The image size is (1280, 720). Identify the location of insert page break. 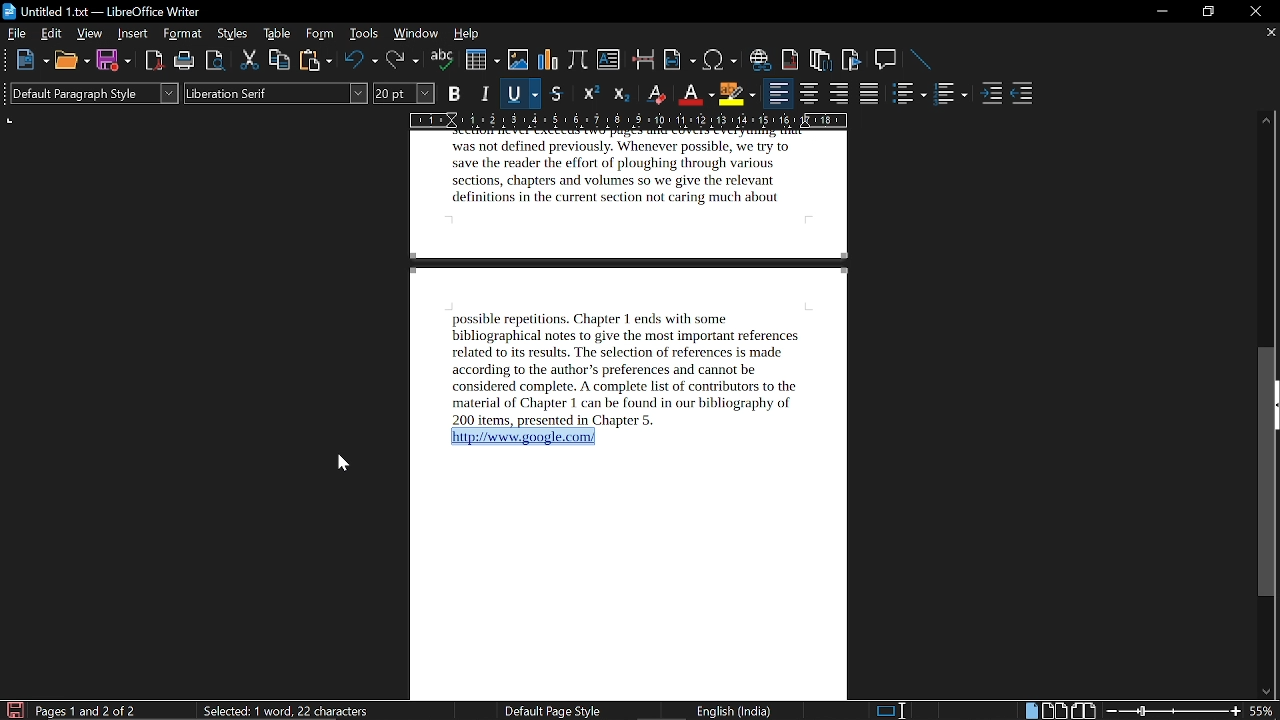
(643, 61).